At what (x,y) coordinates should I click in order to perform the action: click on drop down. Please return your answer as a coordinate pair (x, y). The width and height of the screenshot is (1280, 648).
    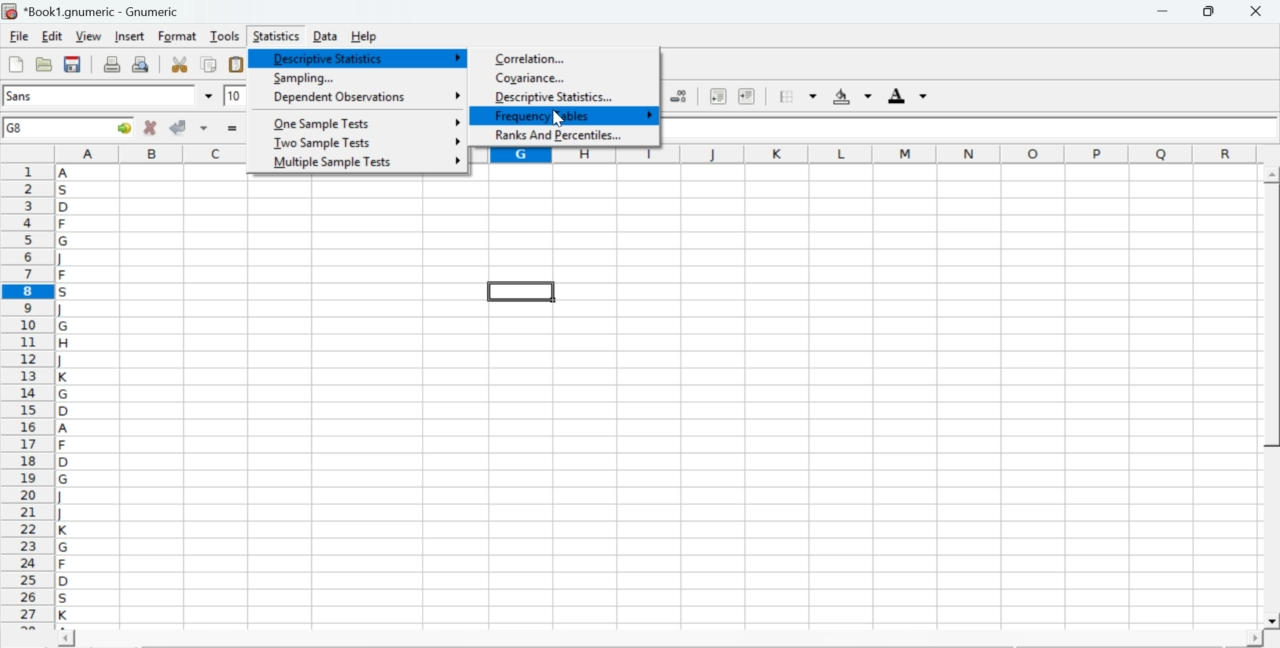
    Looking at the image, I should click on (210, 96).